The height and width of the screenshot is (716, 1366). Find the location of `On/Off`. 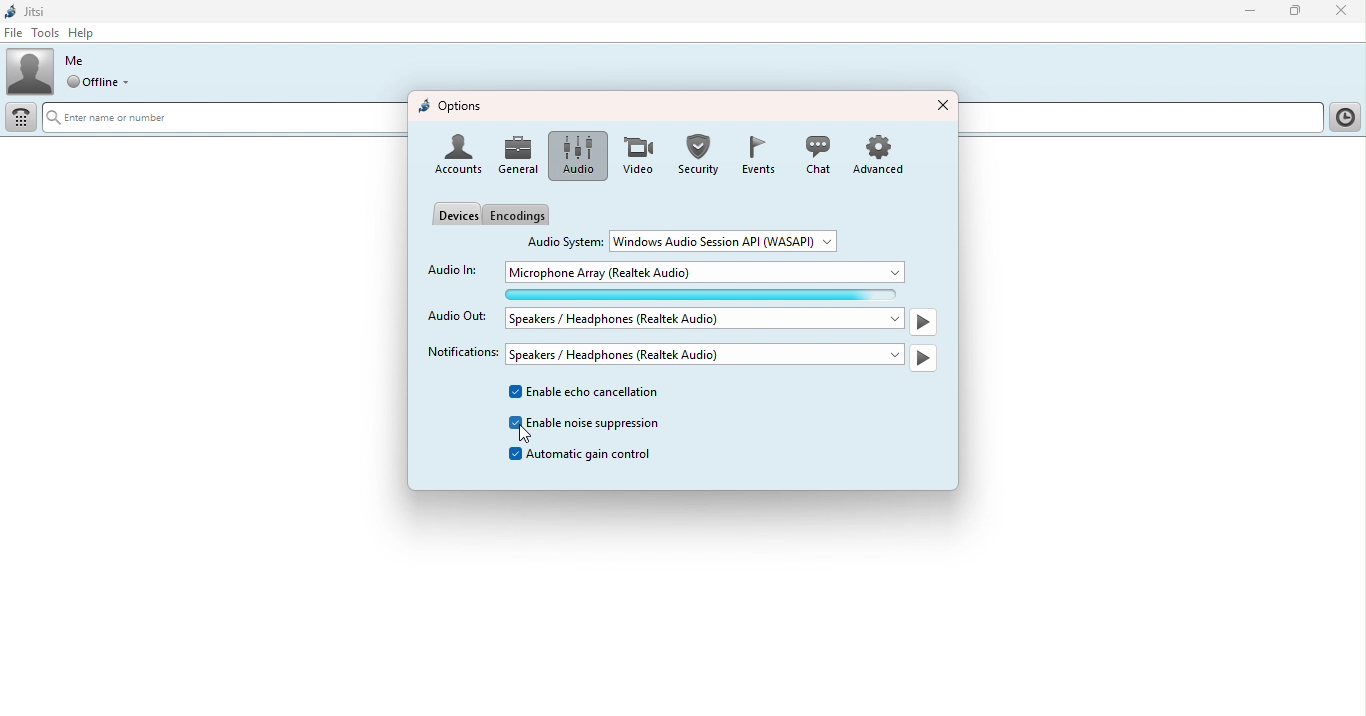

On/Off is located at coordinates (923, 324).